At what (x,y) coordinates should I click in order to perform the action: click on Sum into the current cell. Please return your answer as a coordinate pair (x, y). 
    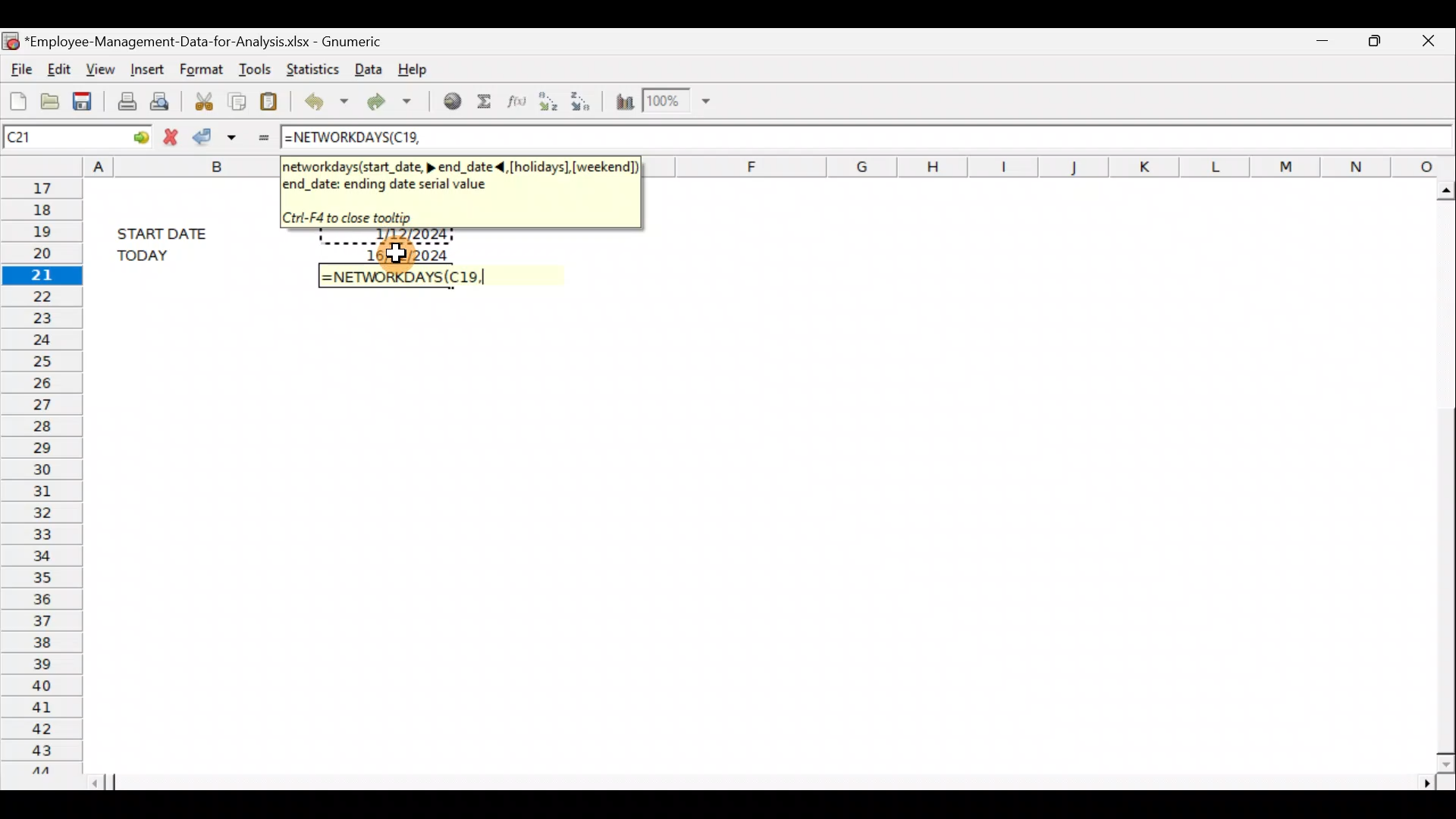
    Looking at the image, I should click on (484, 102).